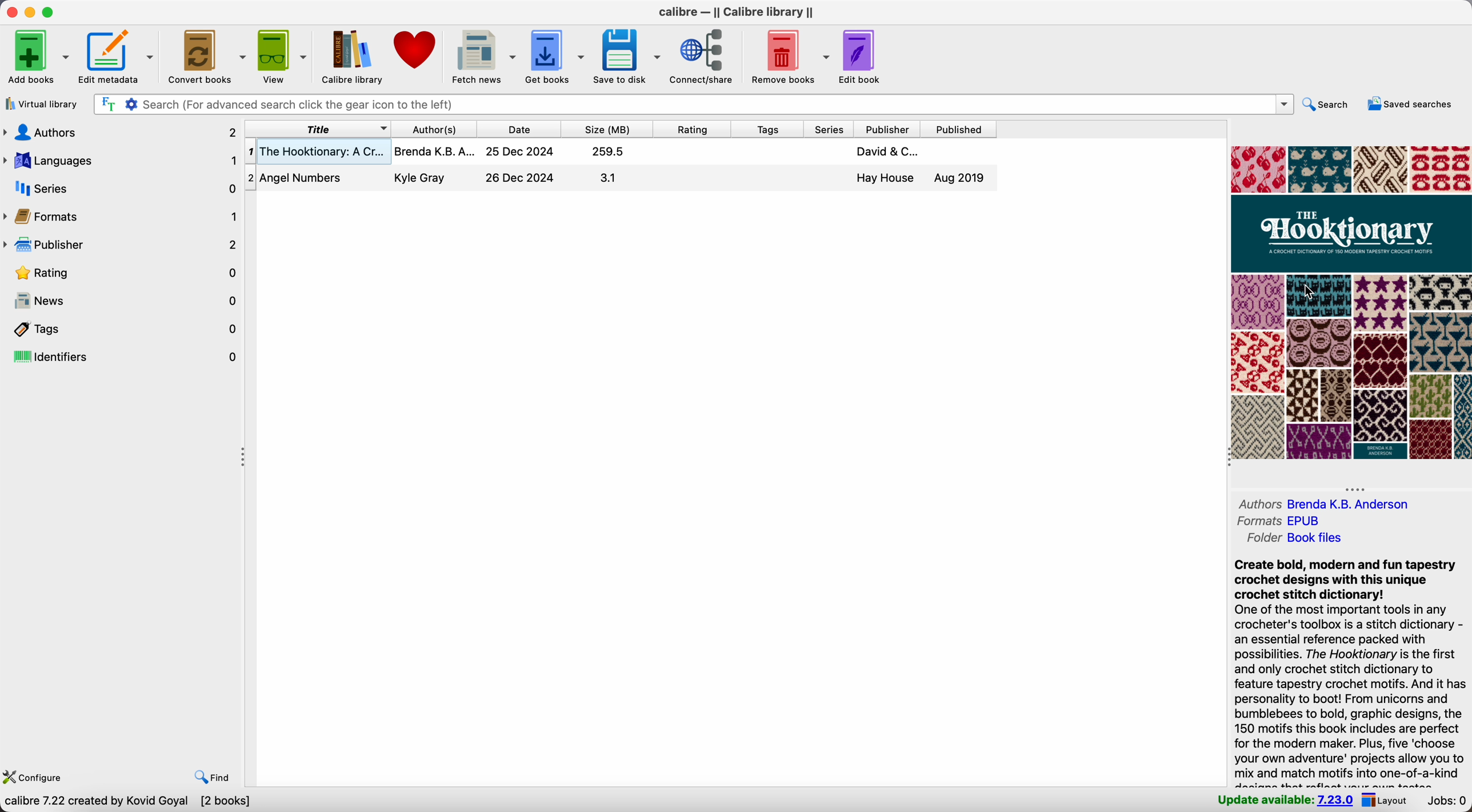  What do you see at coordinates (122, 132) in the screenshot?
I see `authors` at bounding box center [122, 132].